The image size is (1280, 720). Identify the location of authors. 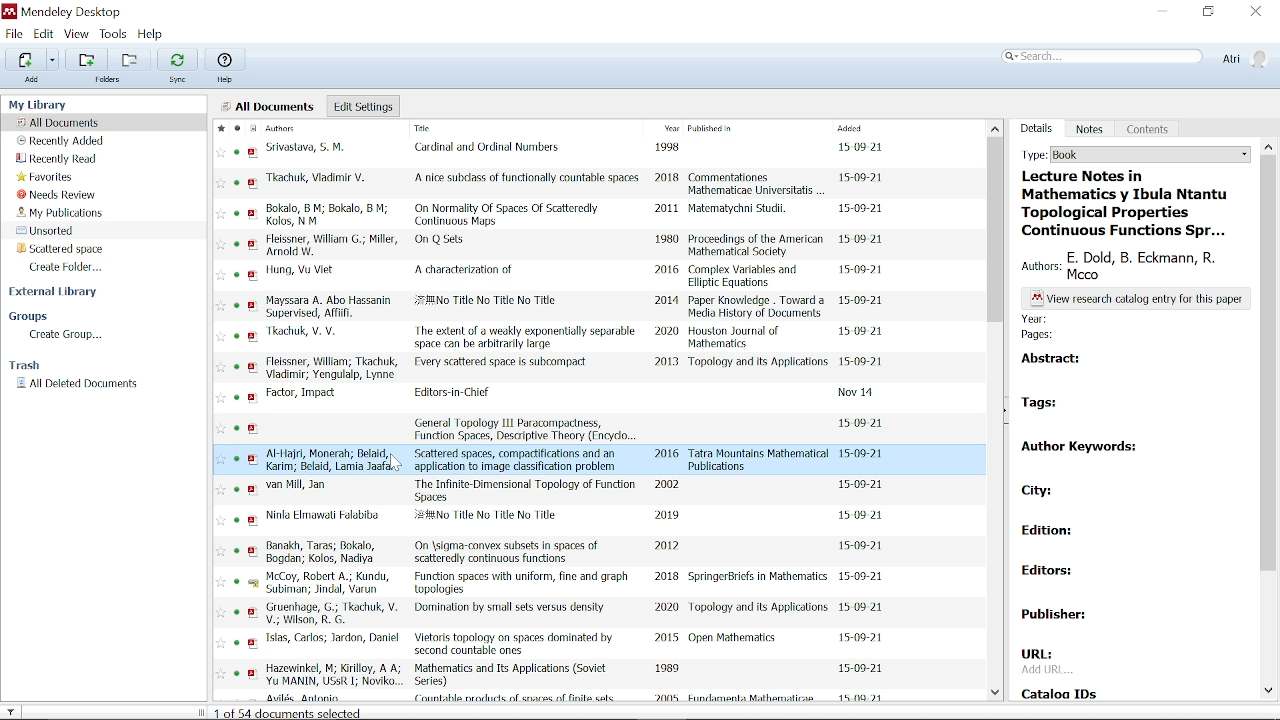
(333, 638).